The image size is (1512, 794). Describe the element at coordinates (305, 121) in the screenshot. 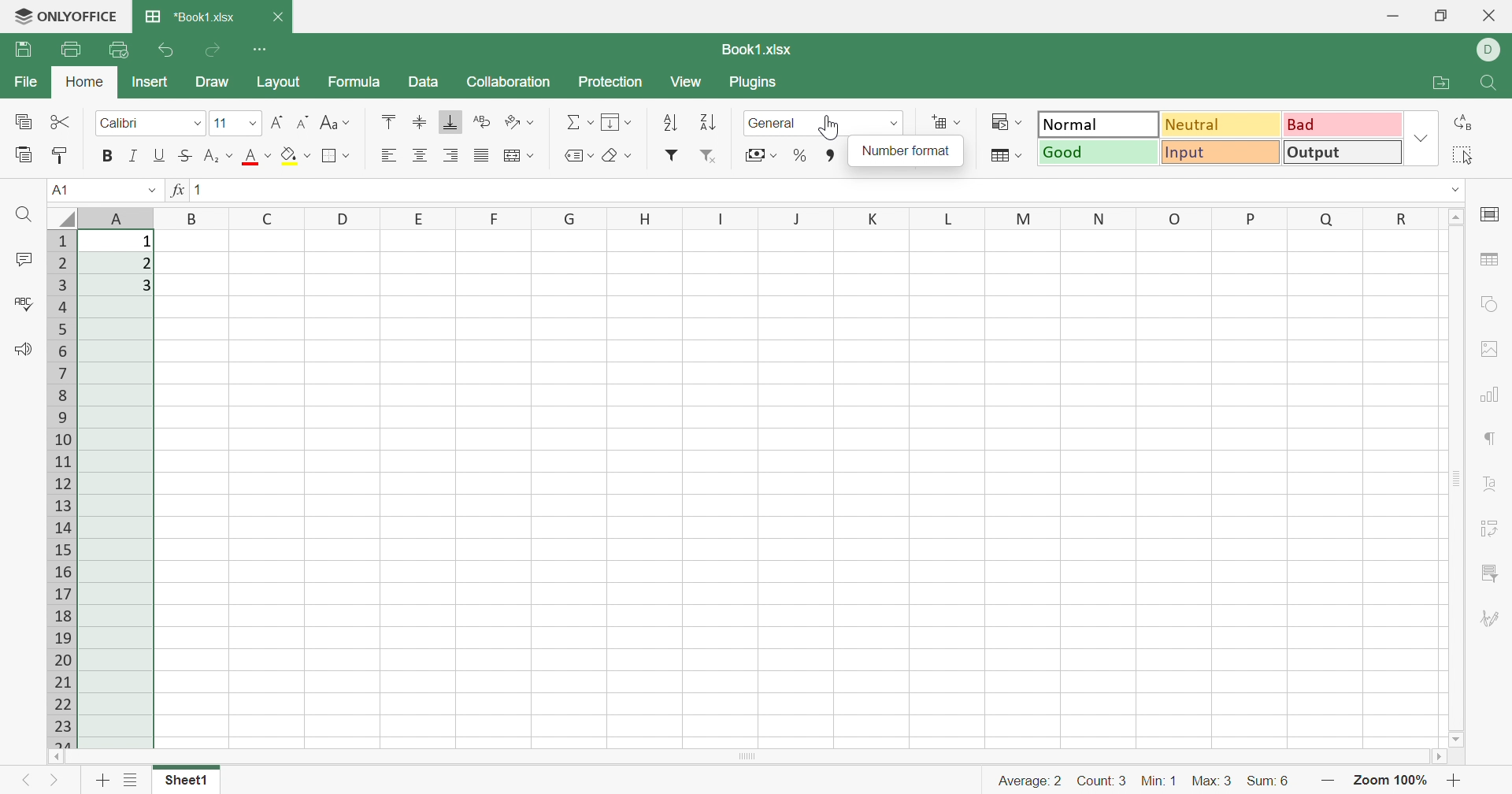

I see `Increment size` at that location.